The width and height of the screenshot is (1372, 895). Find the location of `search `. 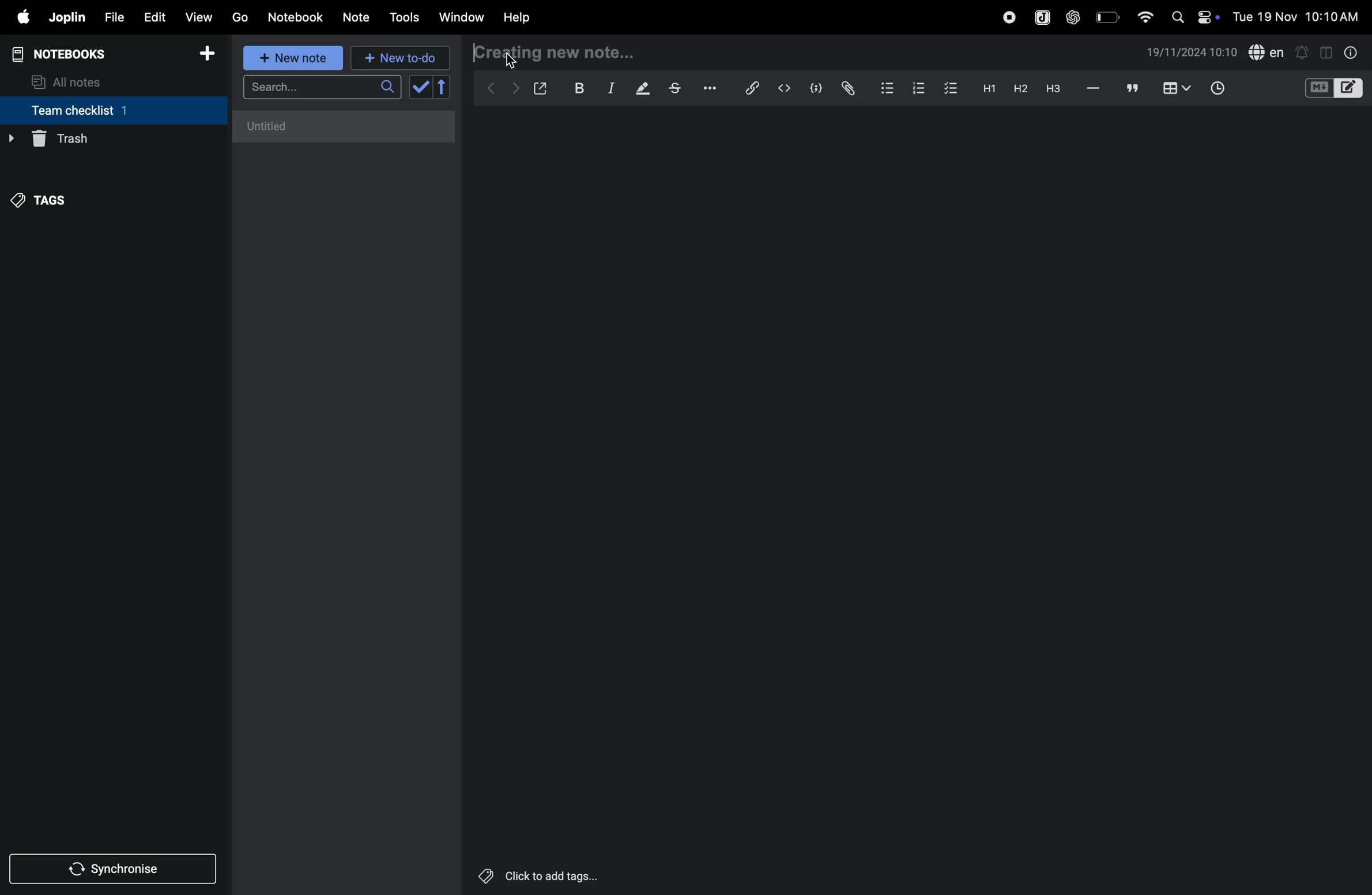

search  is located at coordinates (320, 89).